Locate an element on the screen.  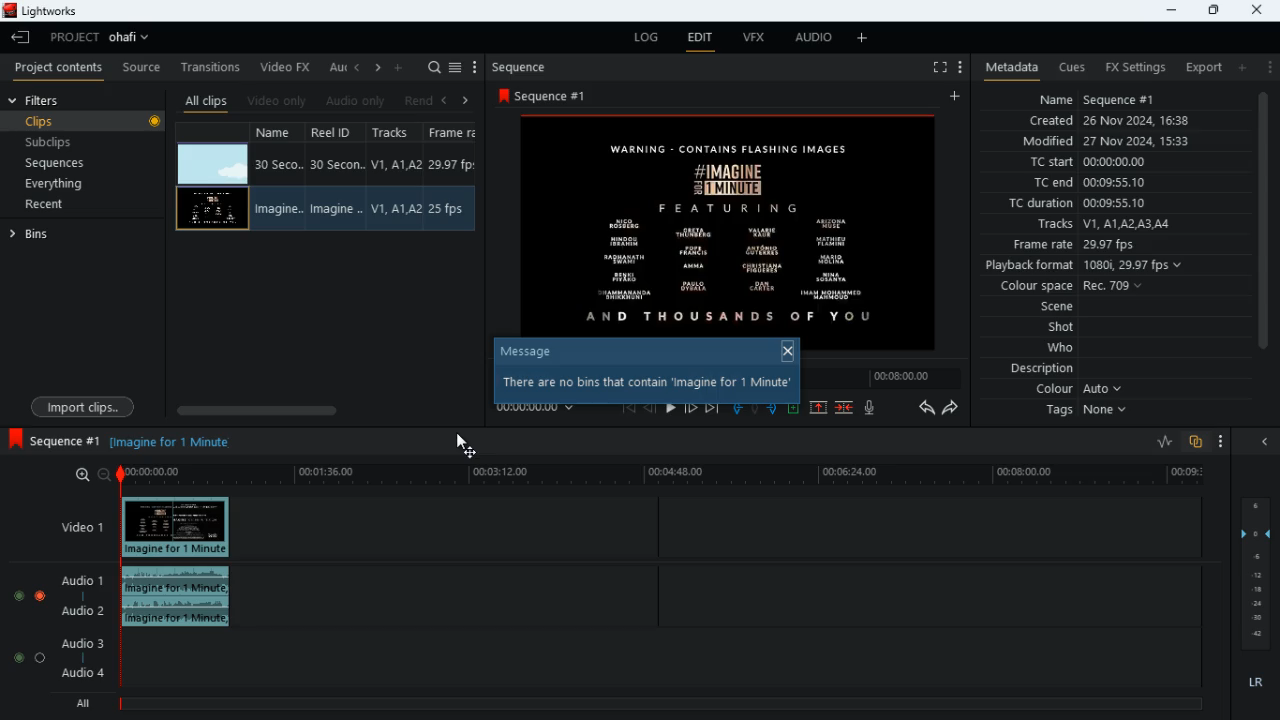
forward is located at coordinates (690, 407).